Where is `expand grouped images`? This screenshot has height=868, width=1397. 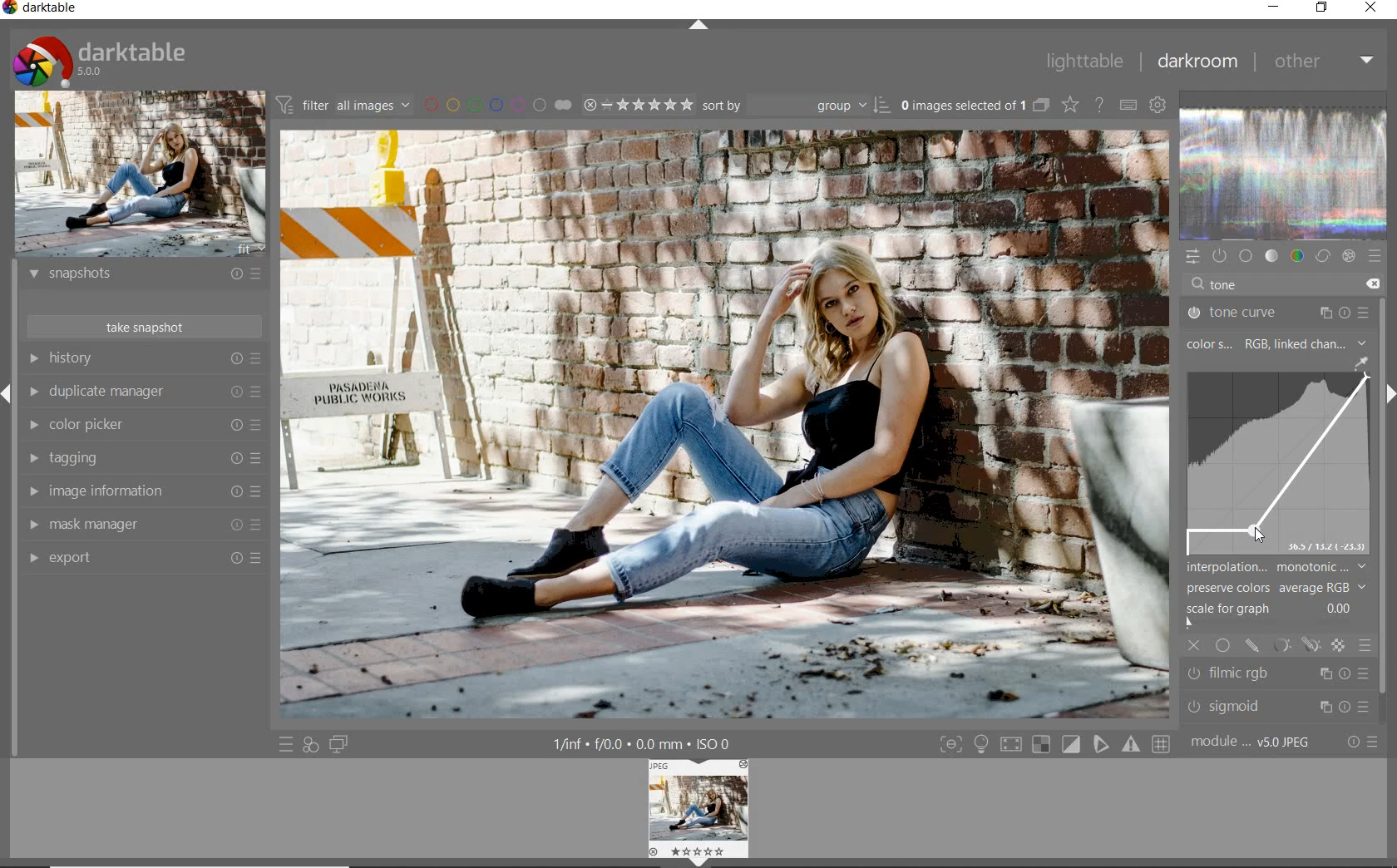 expand grouped images is located at coordinates (975, 105).